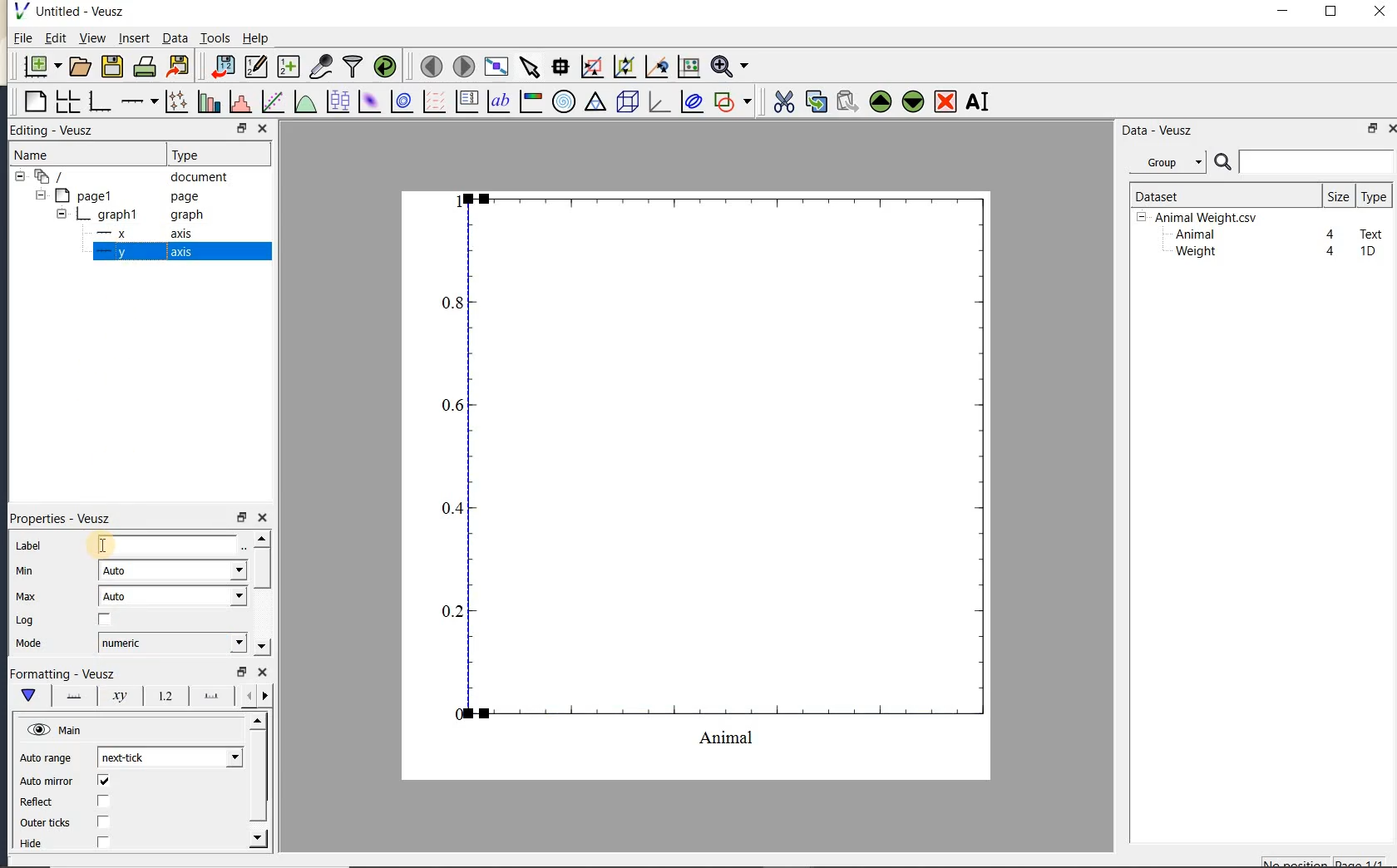  What do you see at coordinates (385, 65) in the screenshot?
I see `reload linked datasets` at bounding box center [385, 65].